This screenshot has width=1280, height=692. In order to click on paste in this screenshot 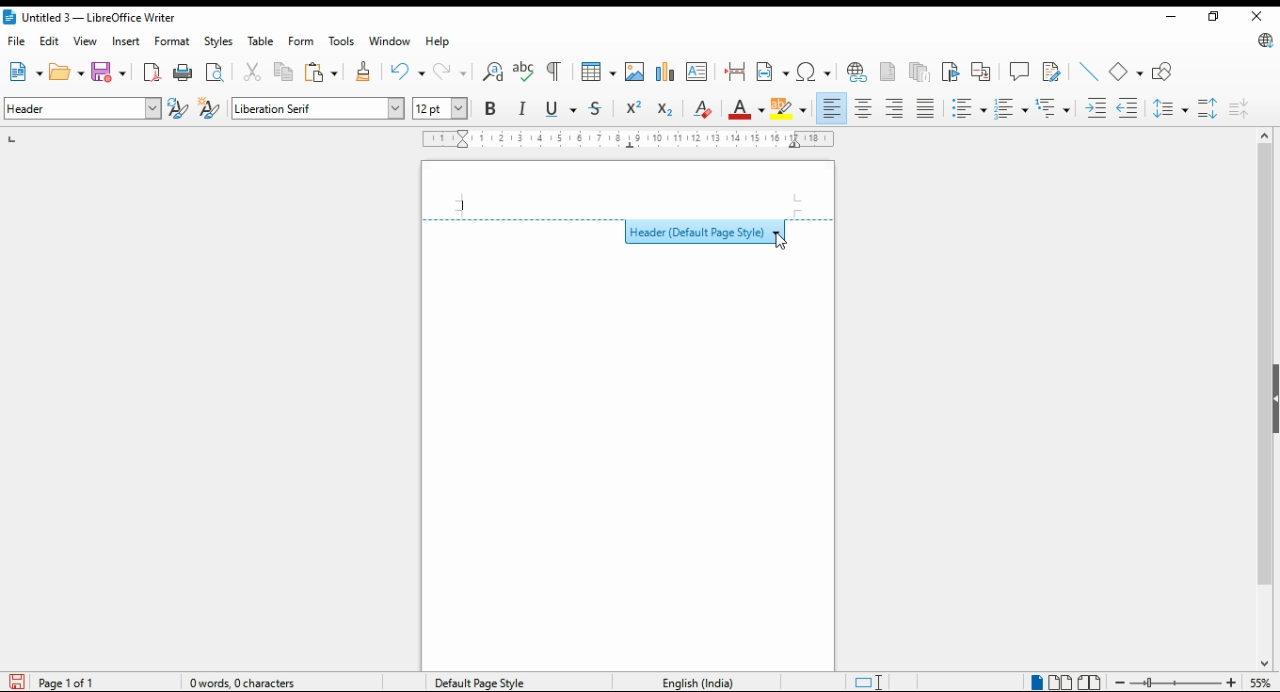, I will do `click(322, 72)`.